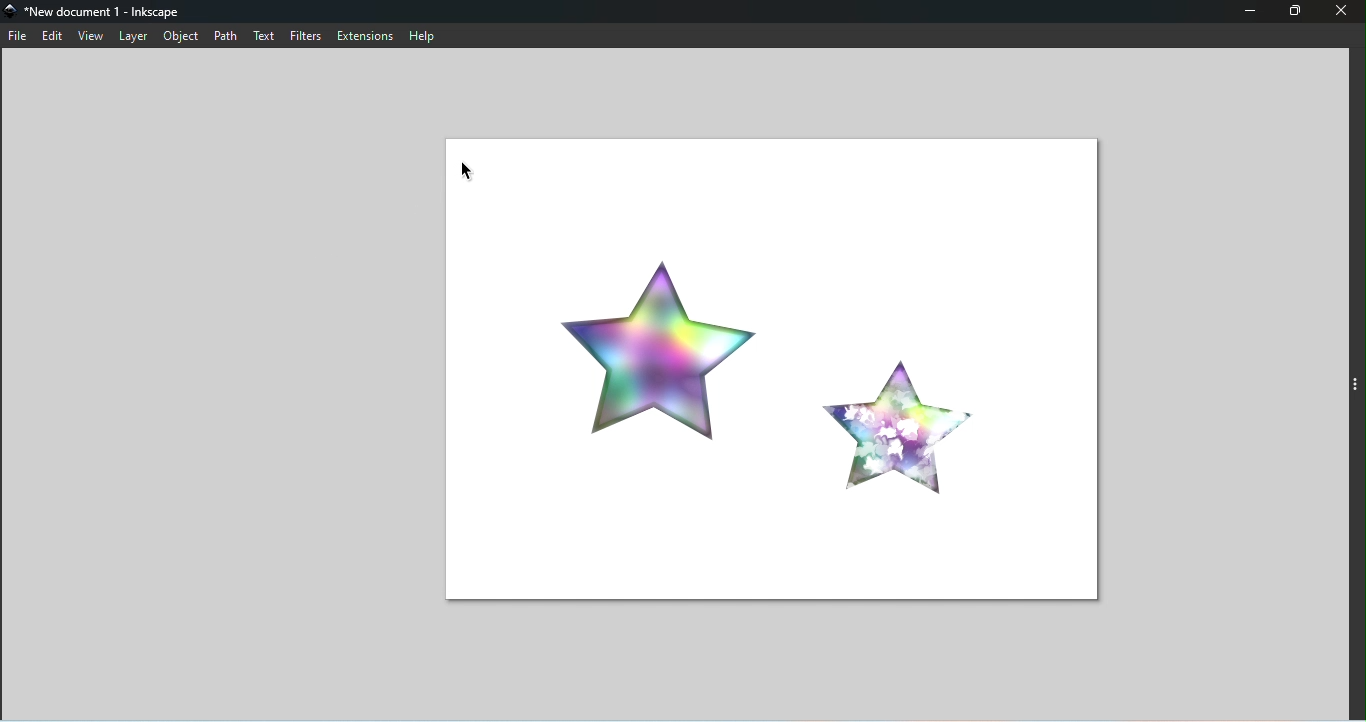 This screenshot has width=1366, height=722. Describe the element at coordinates (364, 36) in the screenshot. I see `Extensions` at that location.